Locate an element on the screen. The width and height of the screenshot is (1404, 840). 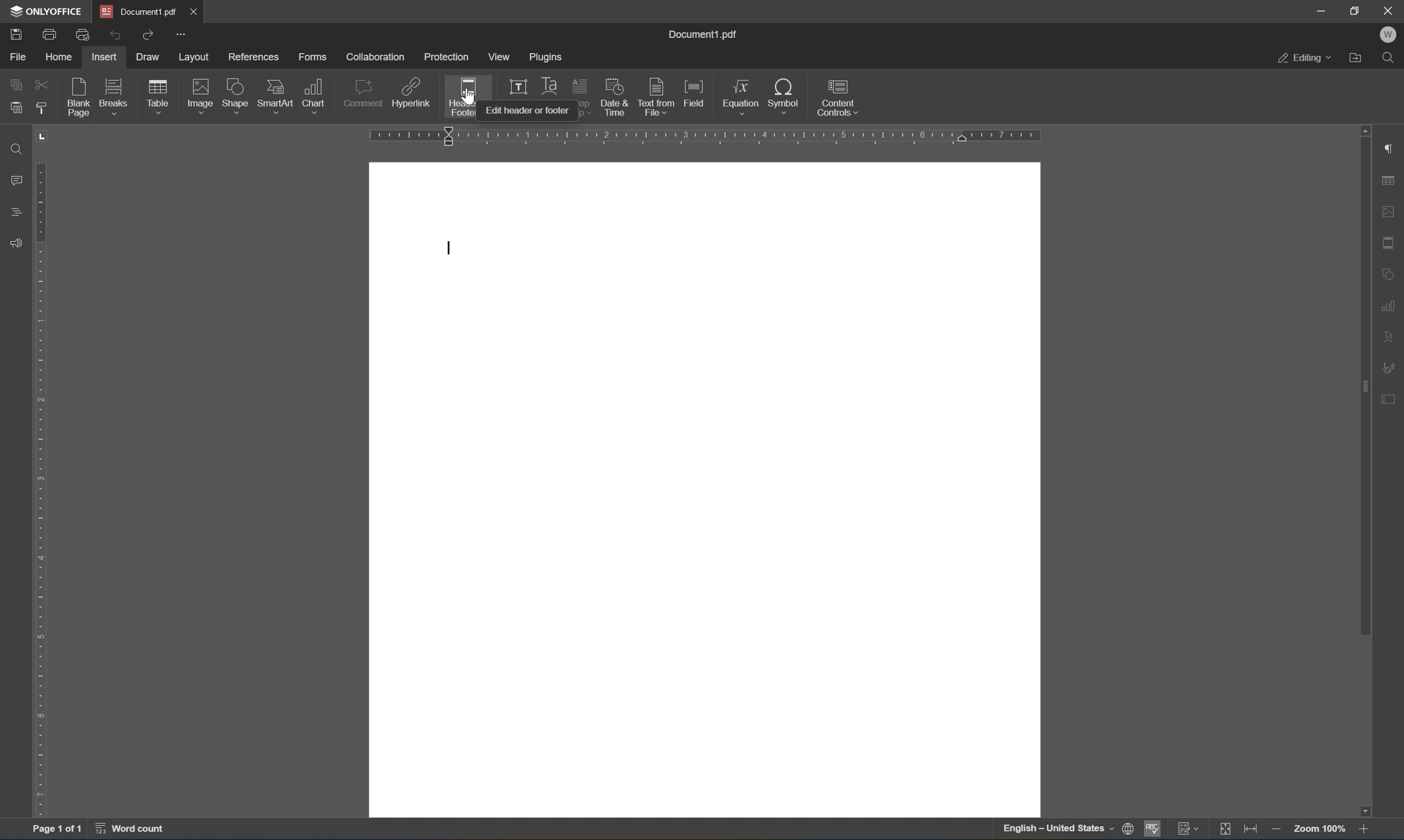
pointer cursor is located at coordinates (467, 102).